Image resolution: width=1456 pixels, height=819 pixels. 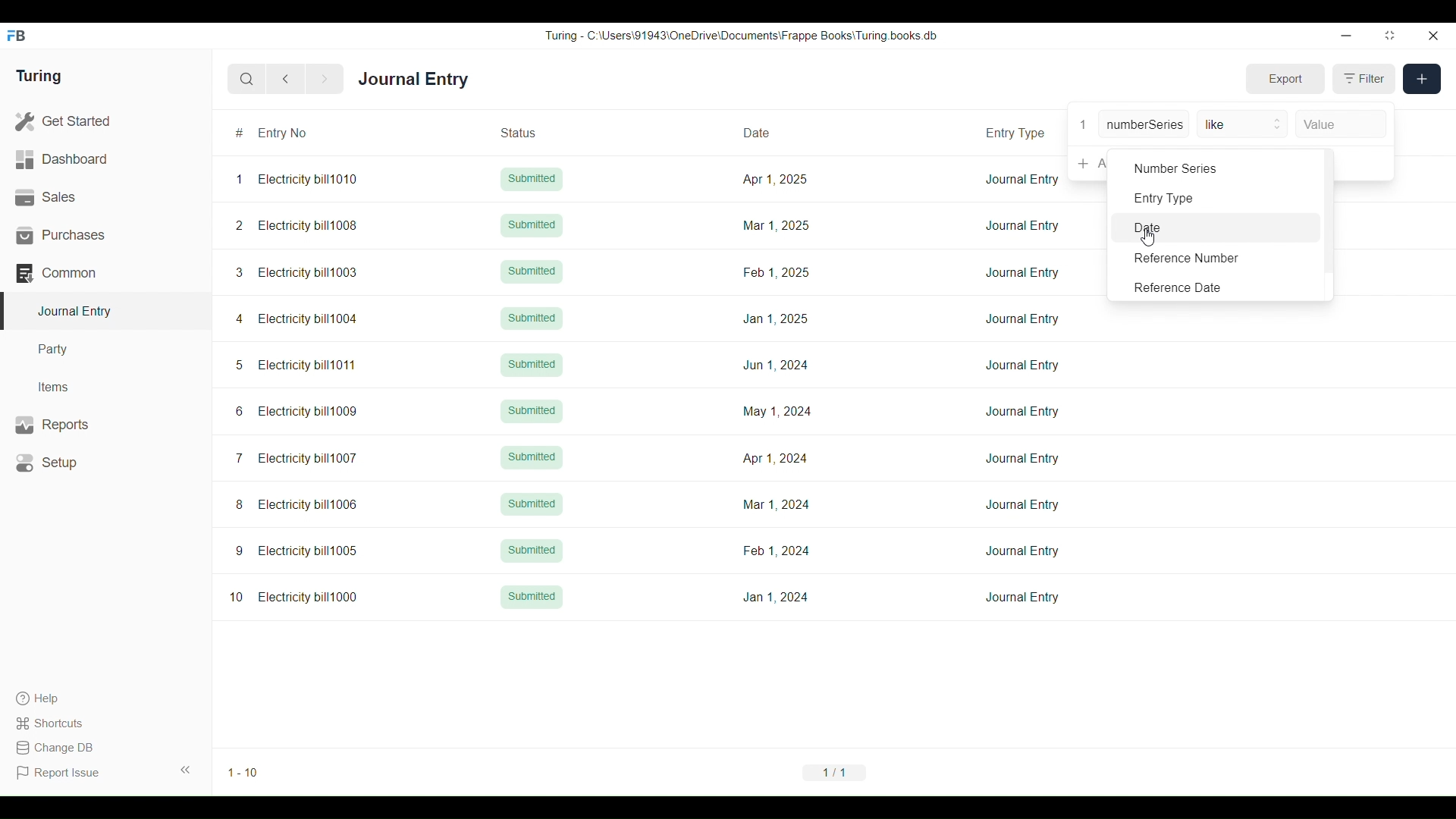 I want to click on Submitted, so click(x=532, y=550).